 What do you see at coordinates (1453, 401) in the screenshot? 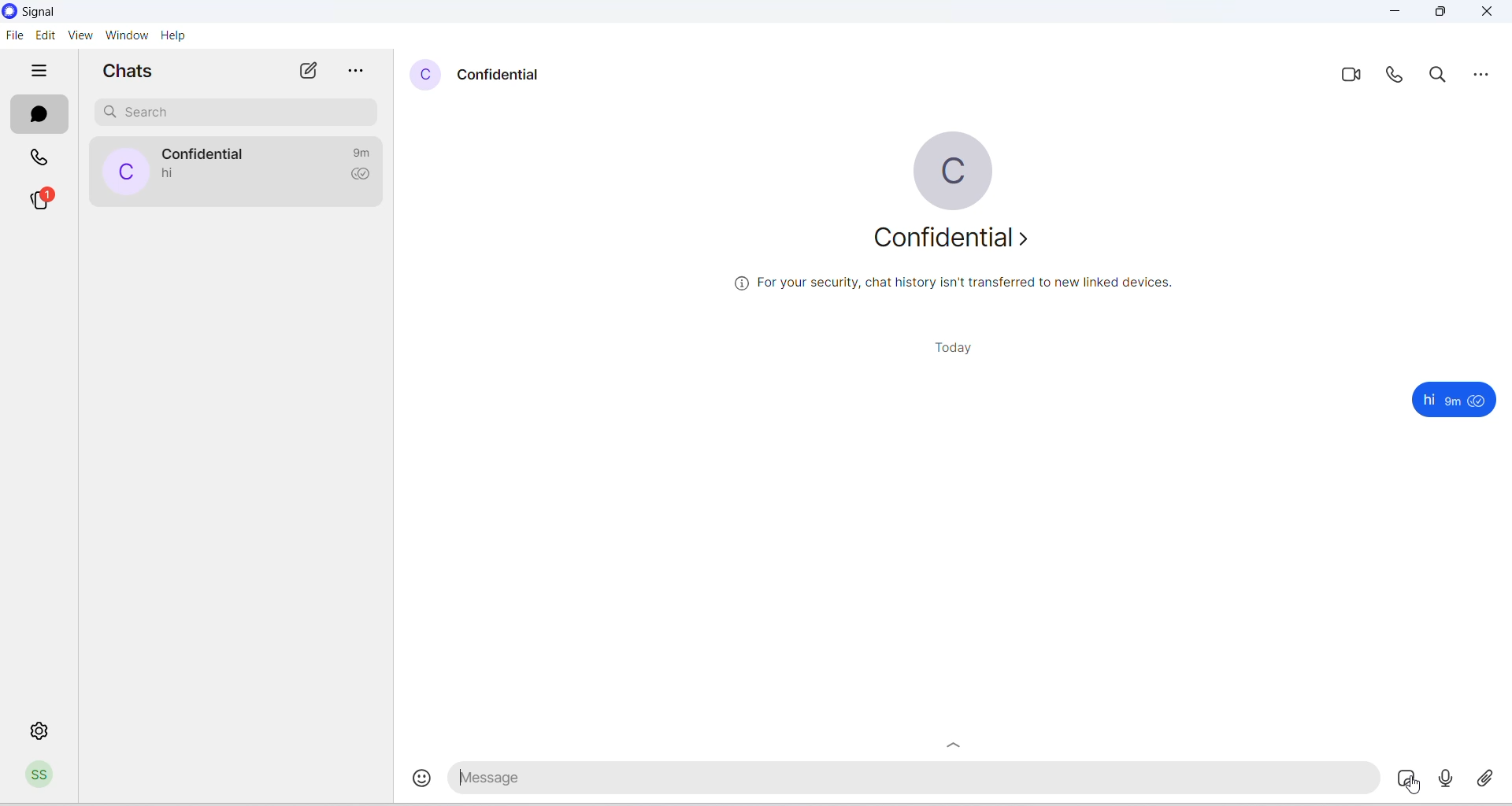
I see `9 m` at bounding box center [1453, 401].